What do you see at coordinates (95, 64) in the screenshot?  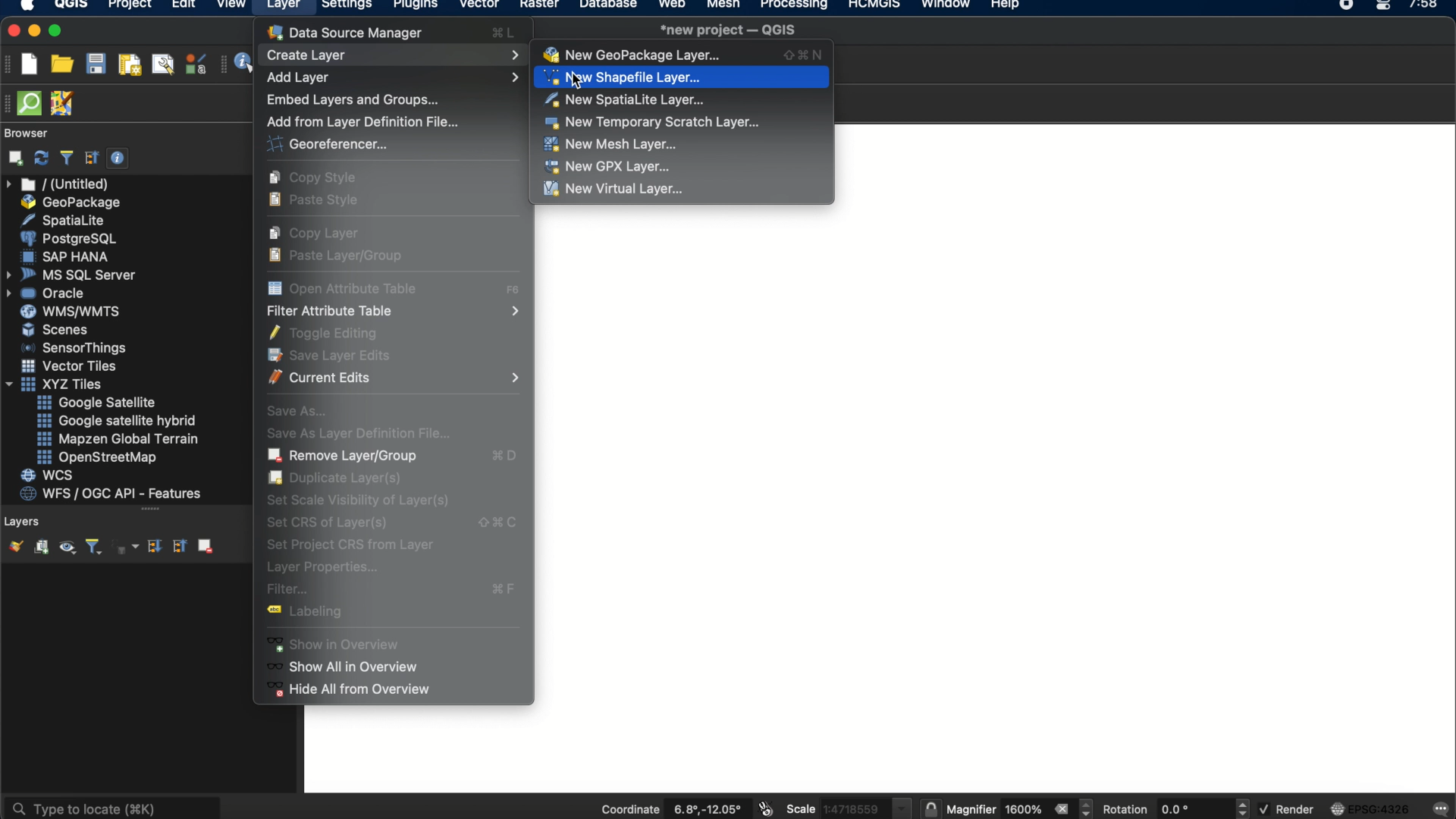 I see `save project` at bounding box center [95, 64].